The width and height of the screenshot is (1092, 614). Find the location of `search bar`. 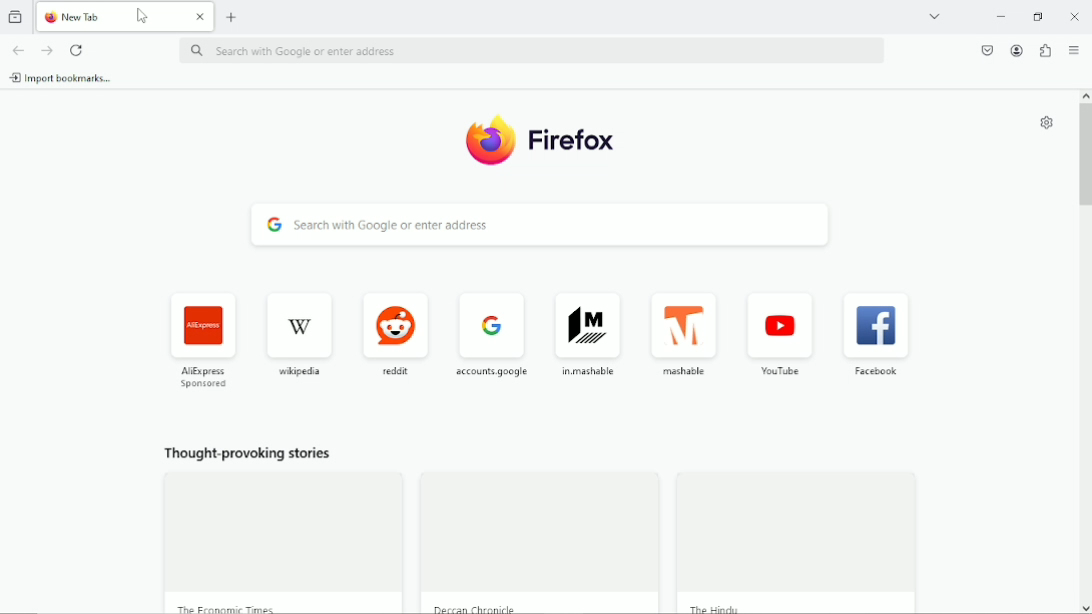

search bar is located at coordinates (535, 225).